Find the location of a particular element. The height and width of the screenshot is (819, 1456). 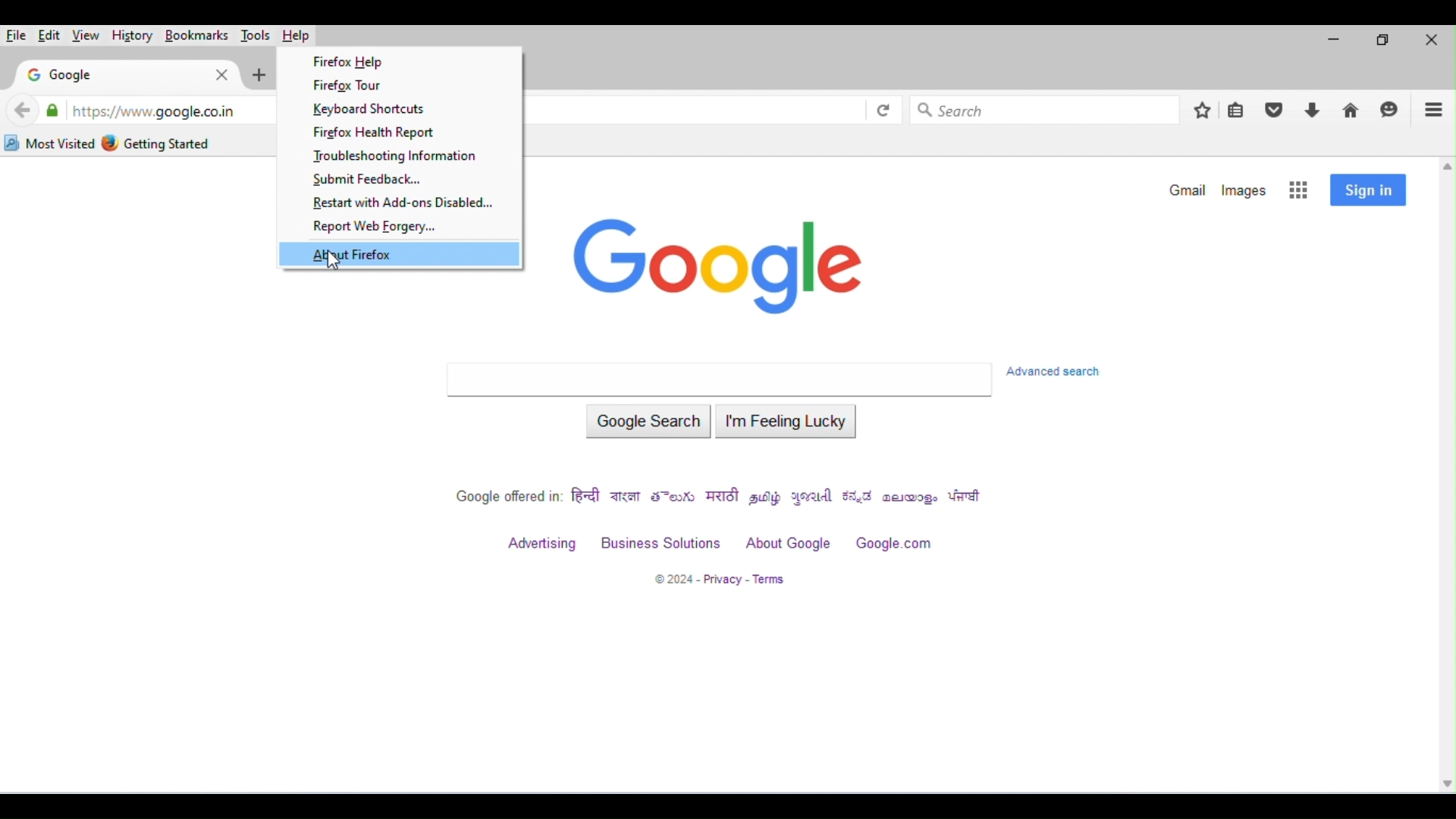

minimize is located at coordinates (1332, 43).